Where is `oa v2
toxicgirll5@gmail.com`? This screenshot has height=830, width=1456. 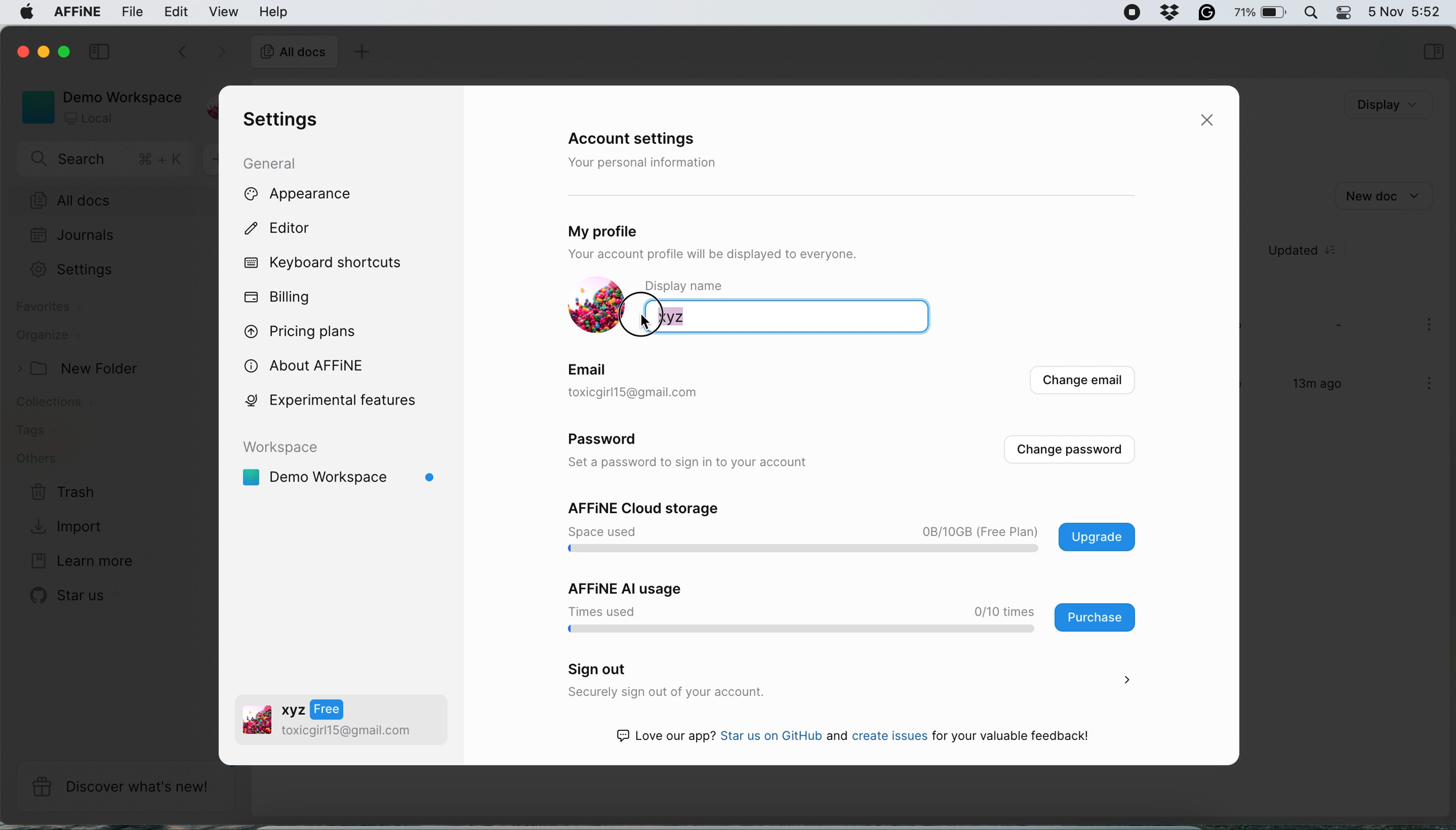 oa v2
toxicgirll5@gmail.com is located at coordinates (328, 722).